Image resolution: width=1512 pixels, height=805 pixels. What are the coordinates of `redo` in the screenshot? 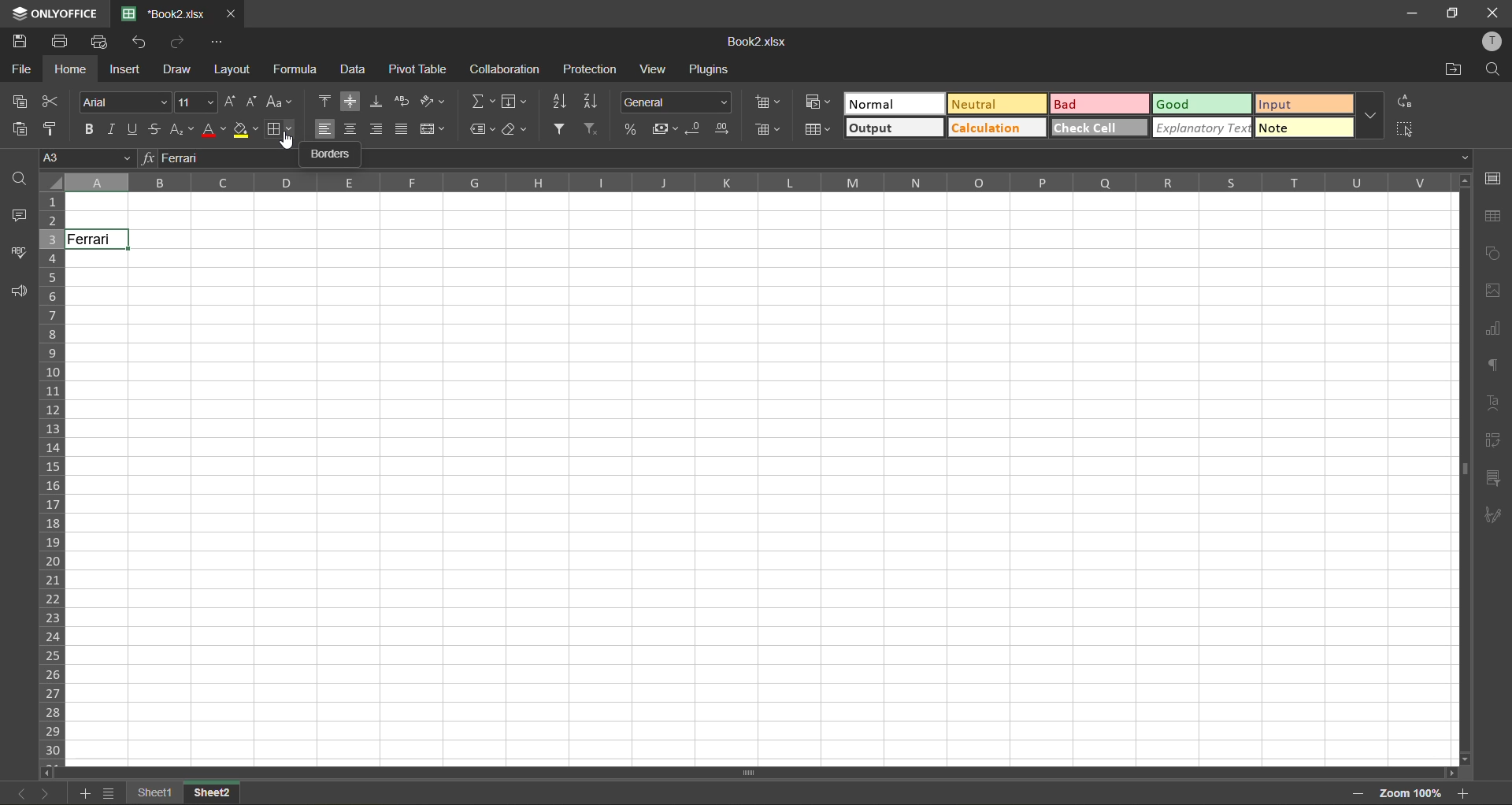 It's located at (180, 40).